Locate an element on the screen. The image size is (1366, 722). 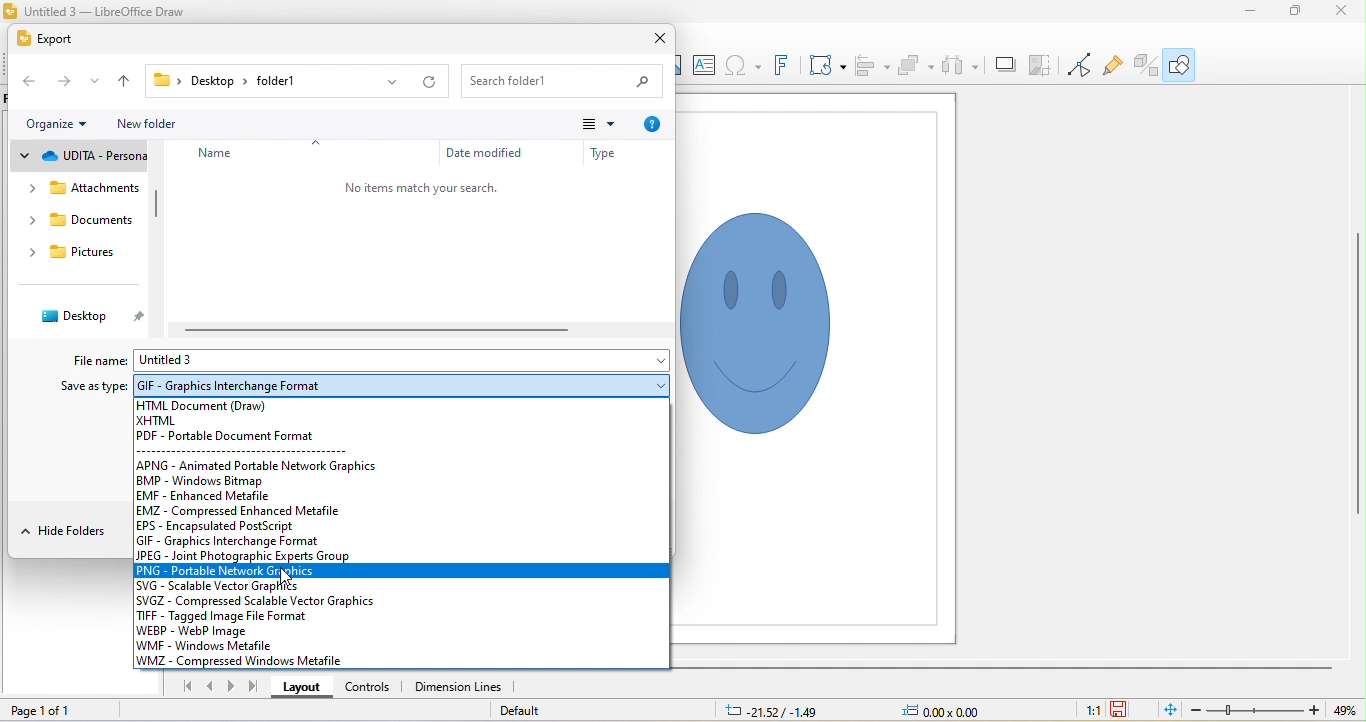
XHTML  is located at coordinates (157, 421).